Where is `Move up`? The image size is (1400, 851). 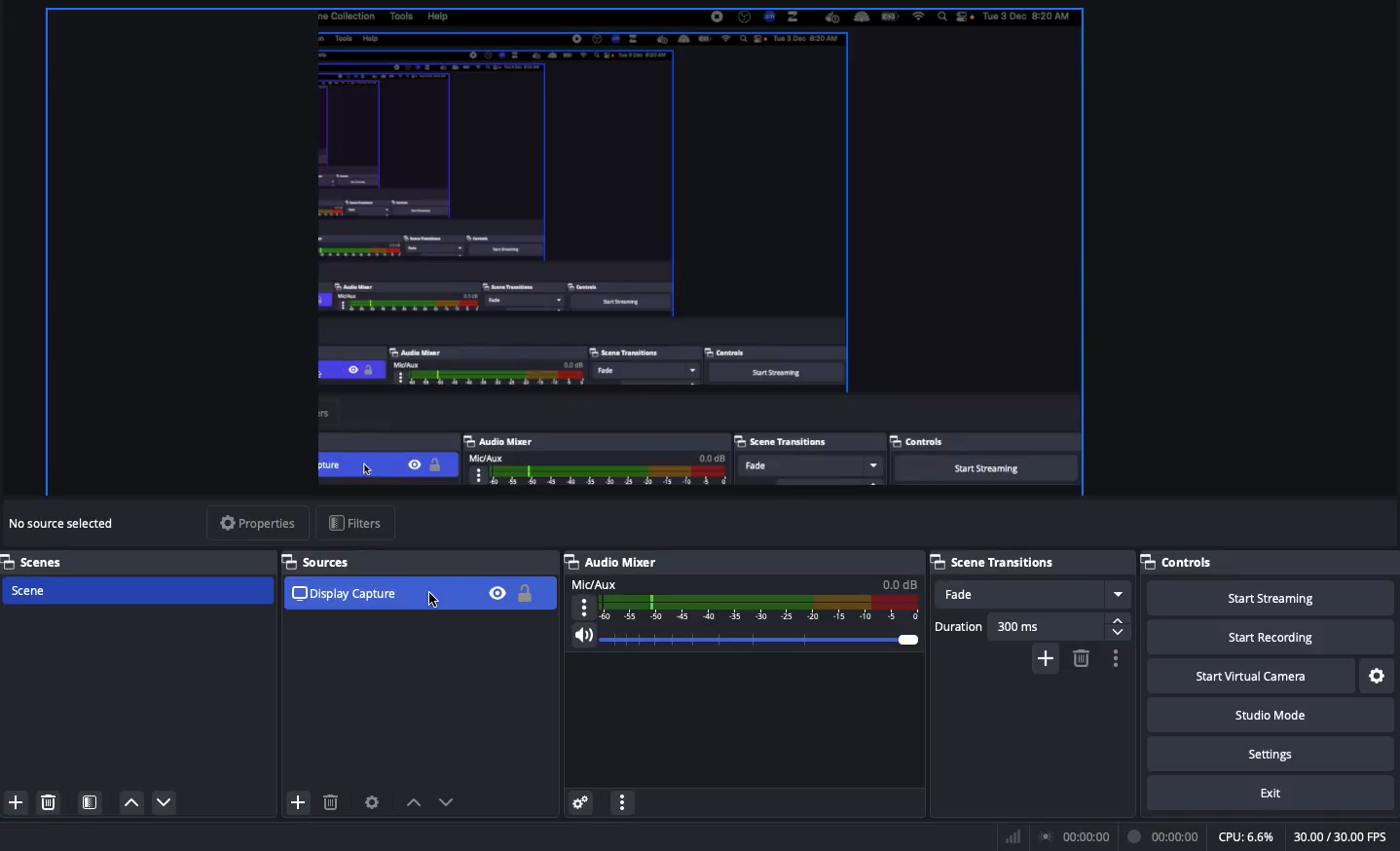 Move up is located at coordinates (133, 805).